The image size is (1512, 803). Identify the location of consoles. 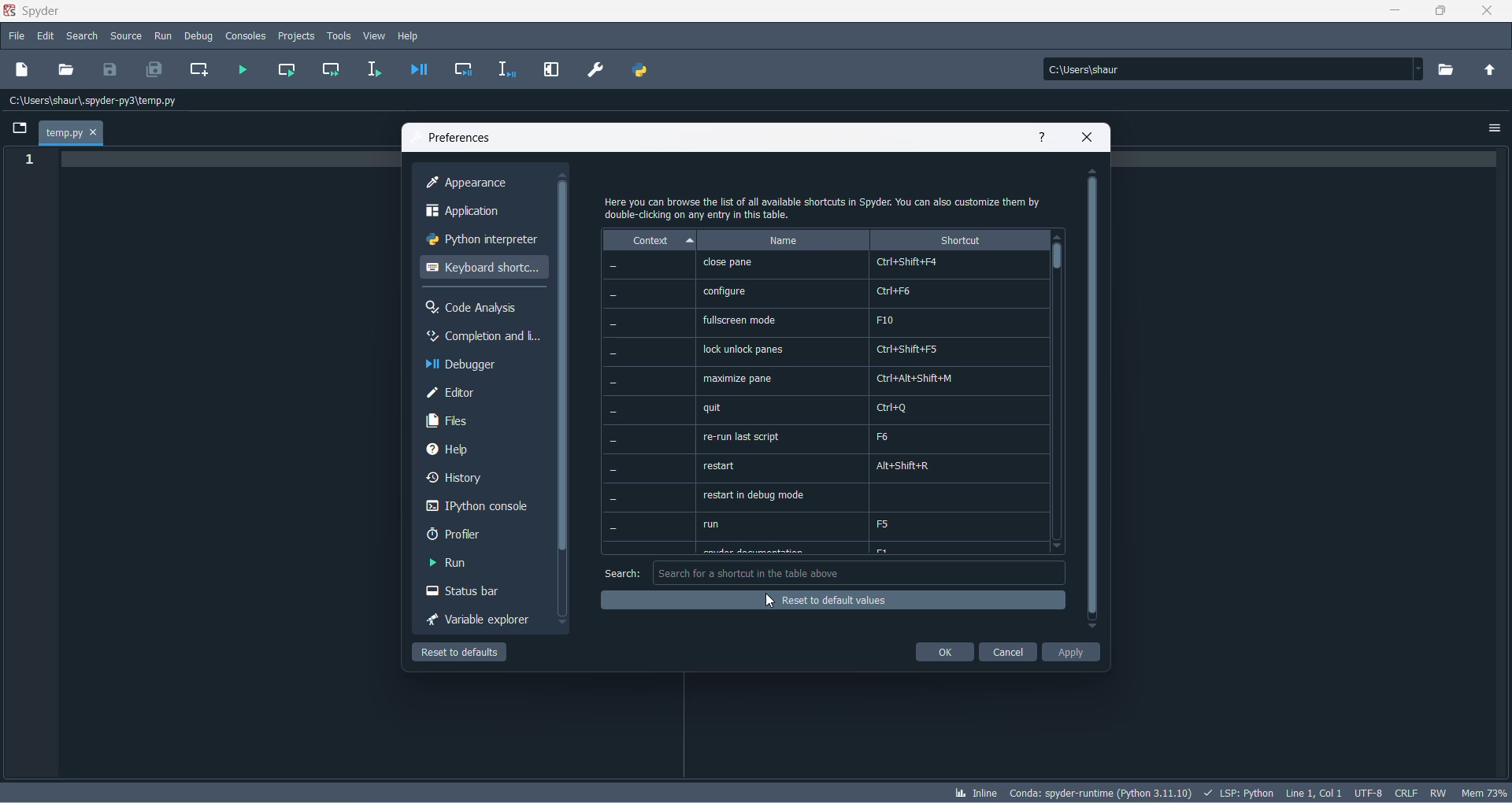
(246, 35).